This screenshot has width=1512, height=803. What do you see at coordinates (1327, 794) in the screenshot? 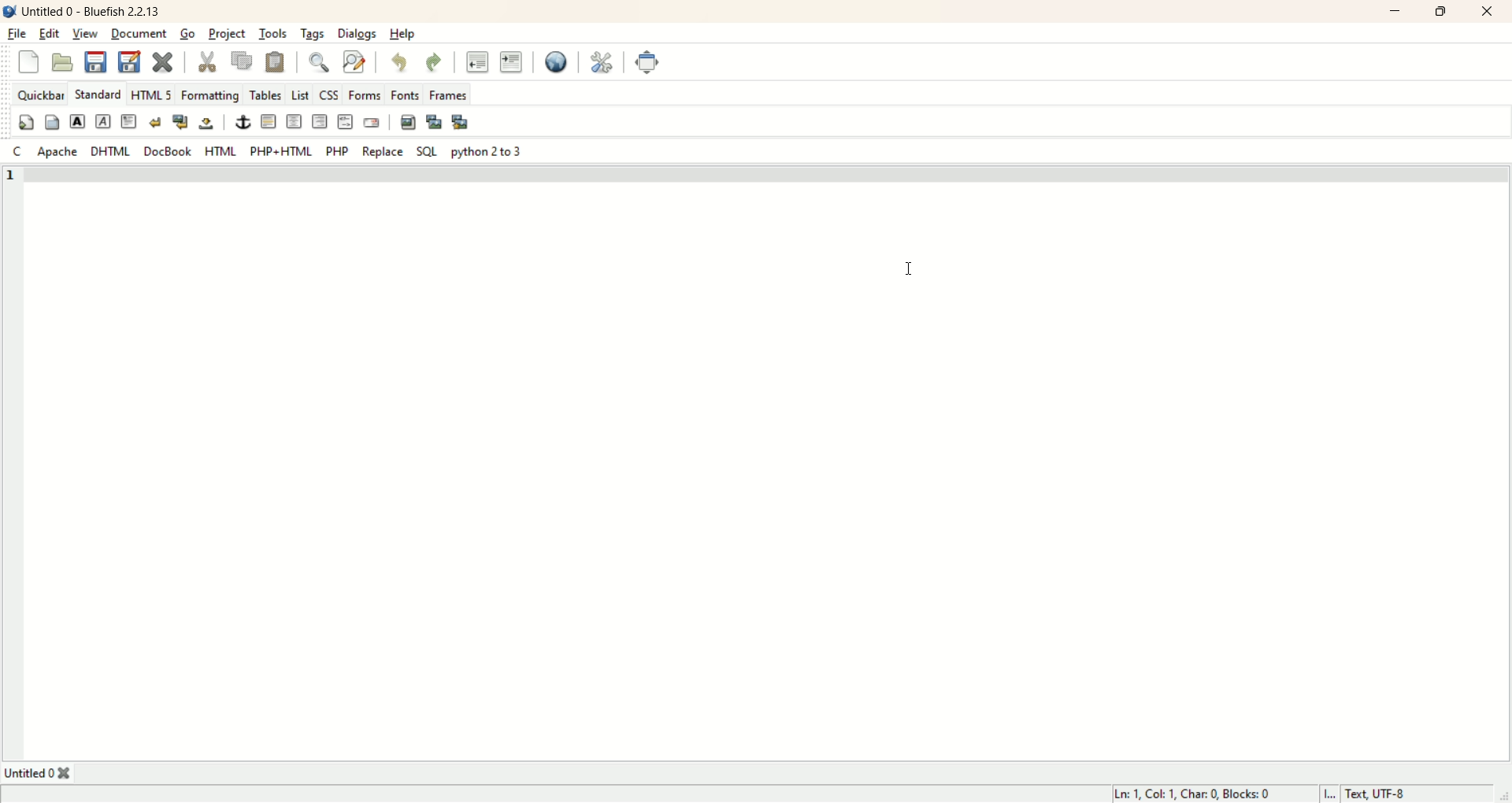
I see `I` at bounding box center [1327, 794].